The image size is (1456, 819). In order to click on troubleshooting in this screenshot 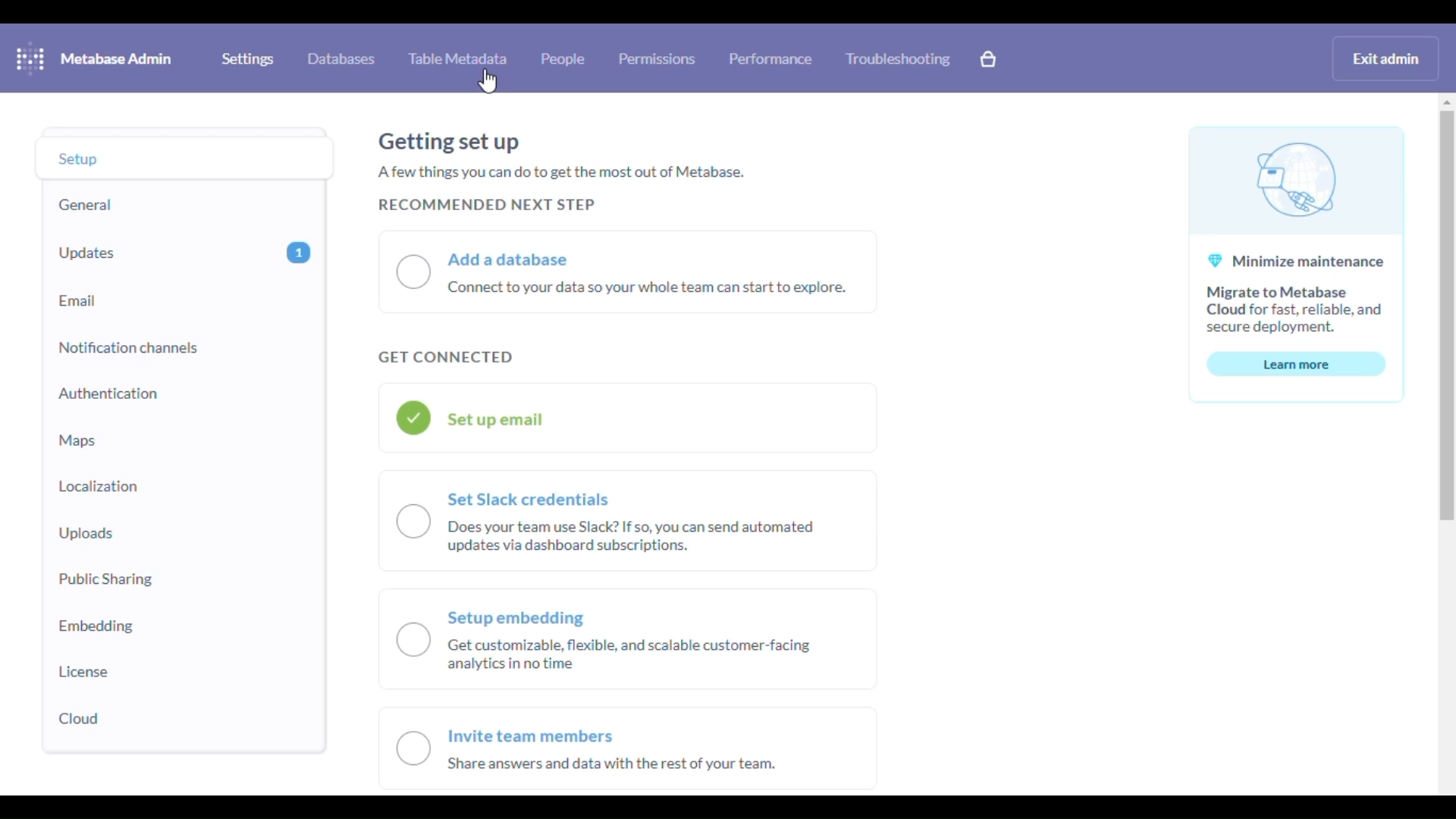, I will do `click(899, 58)`.